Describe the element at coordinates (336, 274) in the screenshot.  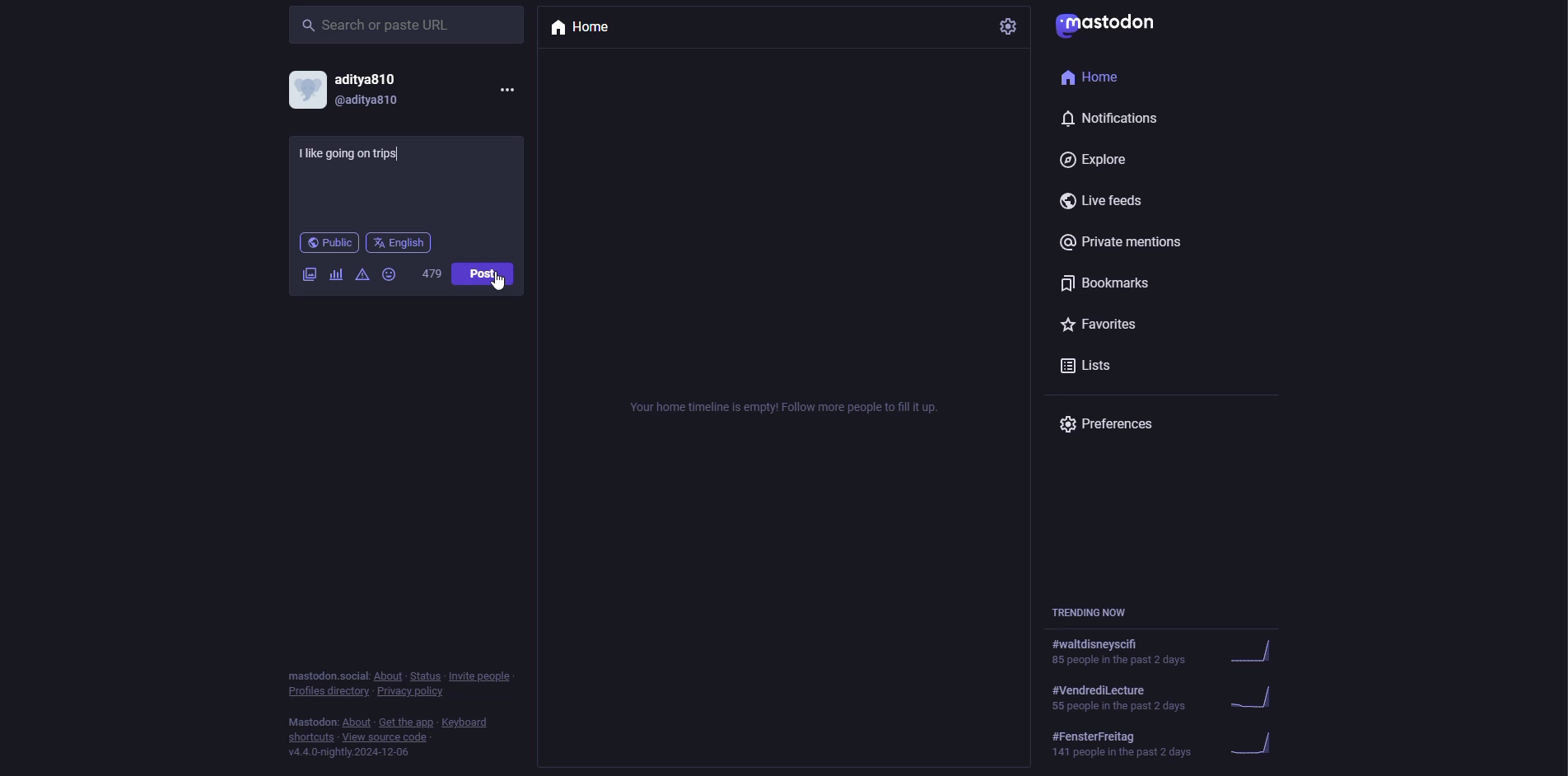
I see `polls` at that location.